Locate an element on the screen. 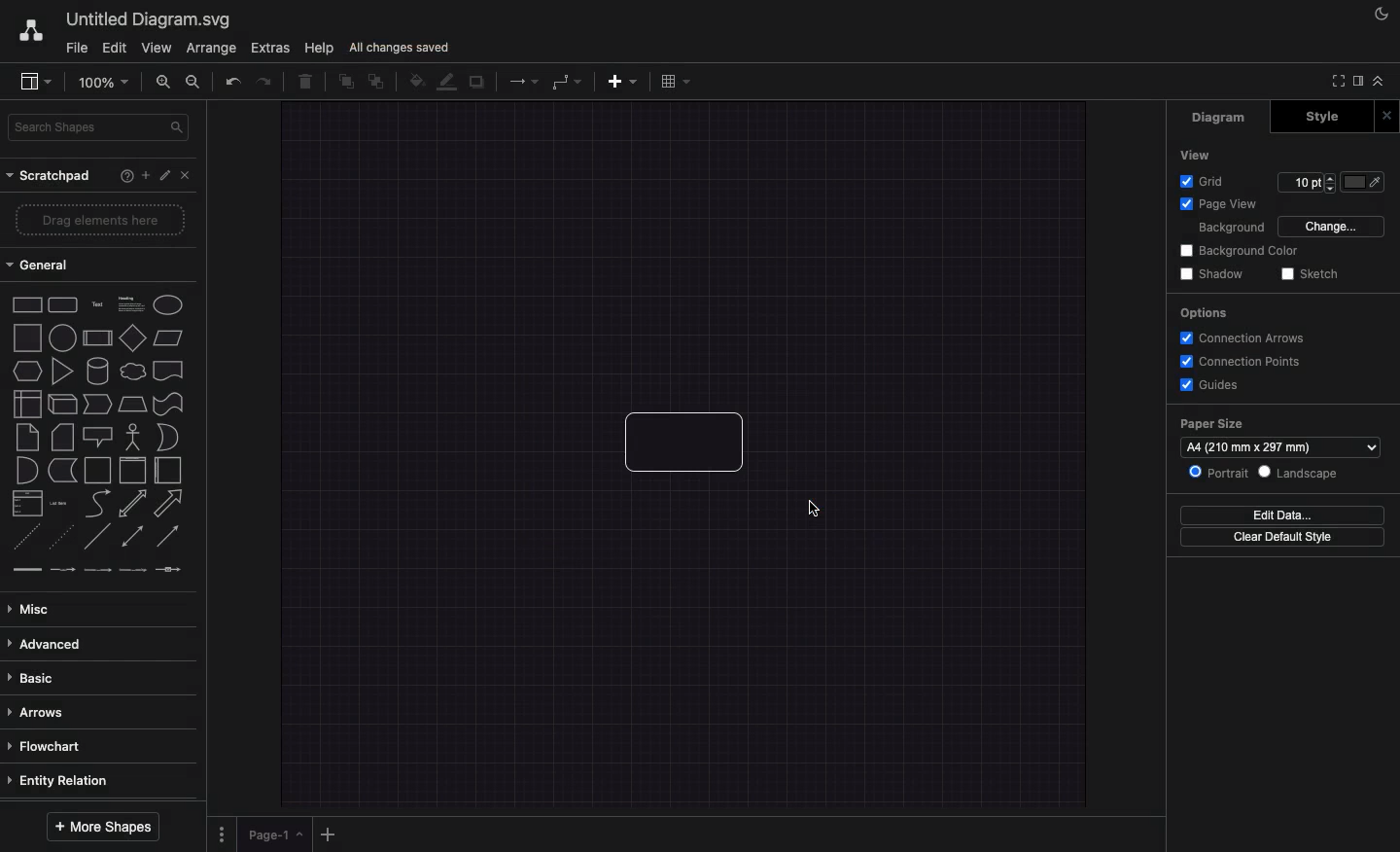 This screenshot has height=852, width=1400. File is located at coordinates (76, 49).